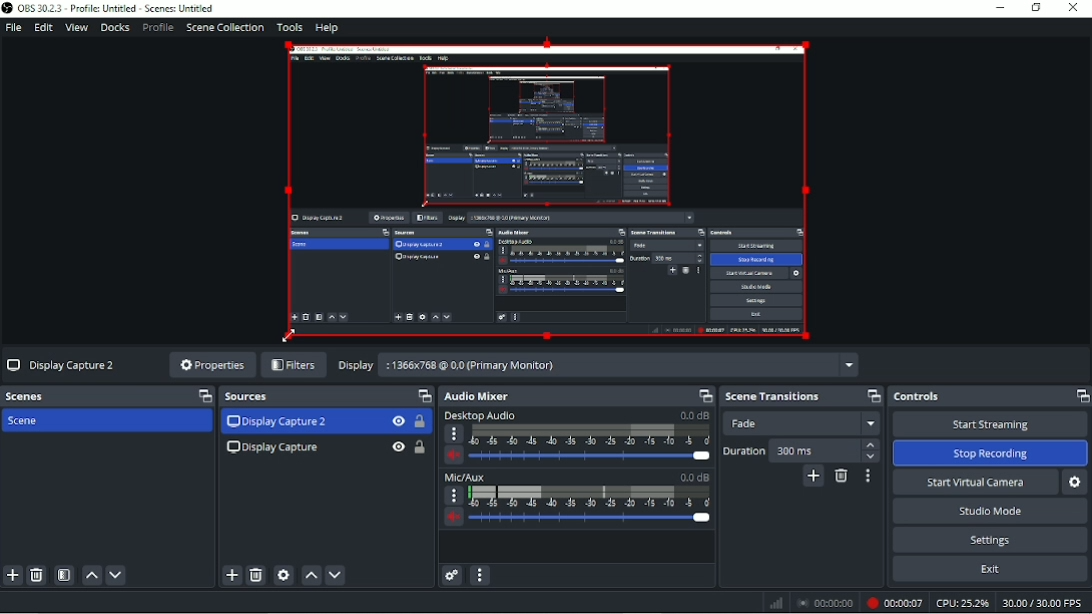  Describe the element at coordinates (397, 447) in the screenshot. I see `Hide` at that location.